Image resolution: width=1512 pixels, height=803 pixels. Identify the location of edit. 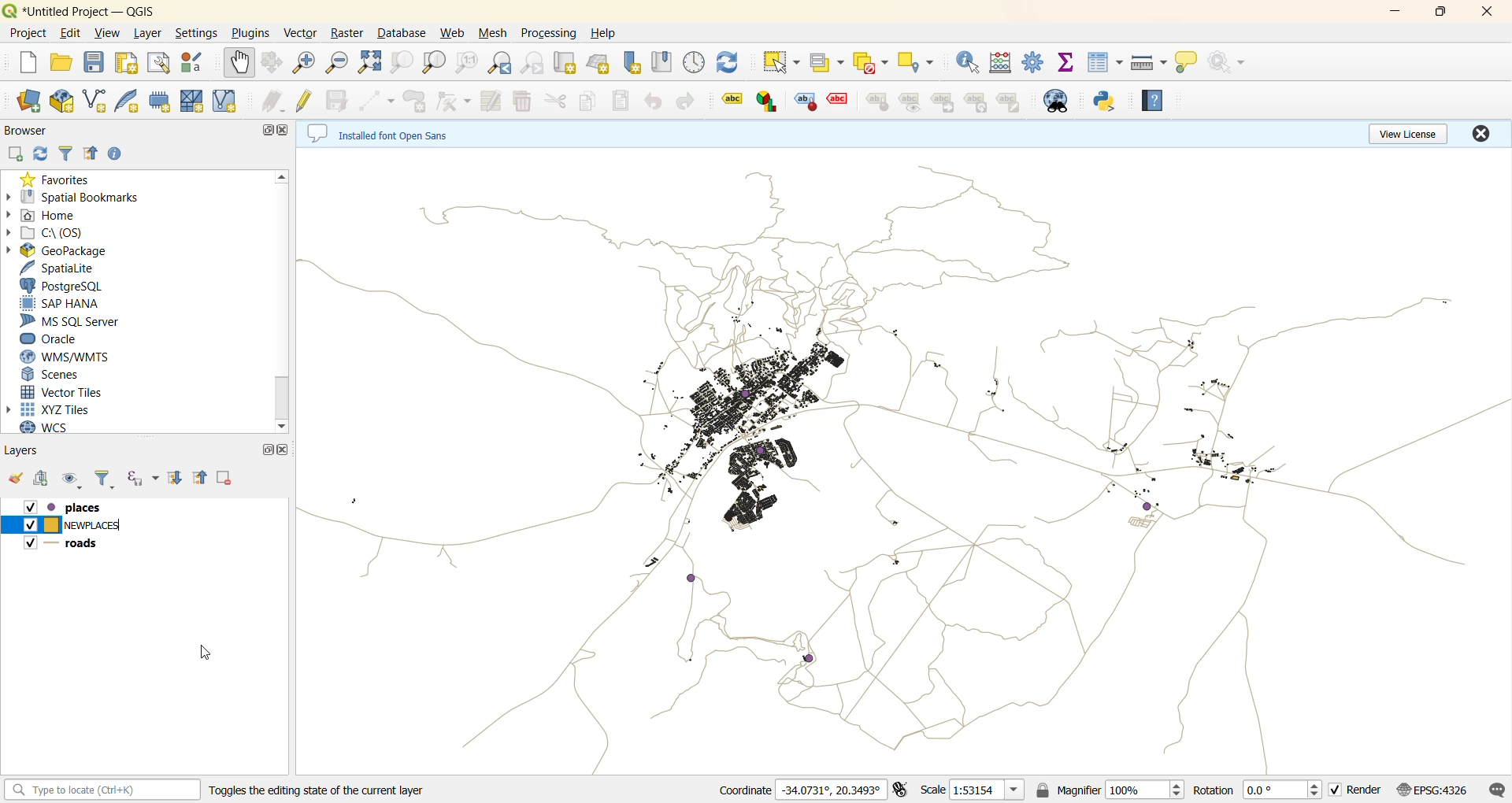
(71, 35).